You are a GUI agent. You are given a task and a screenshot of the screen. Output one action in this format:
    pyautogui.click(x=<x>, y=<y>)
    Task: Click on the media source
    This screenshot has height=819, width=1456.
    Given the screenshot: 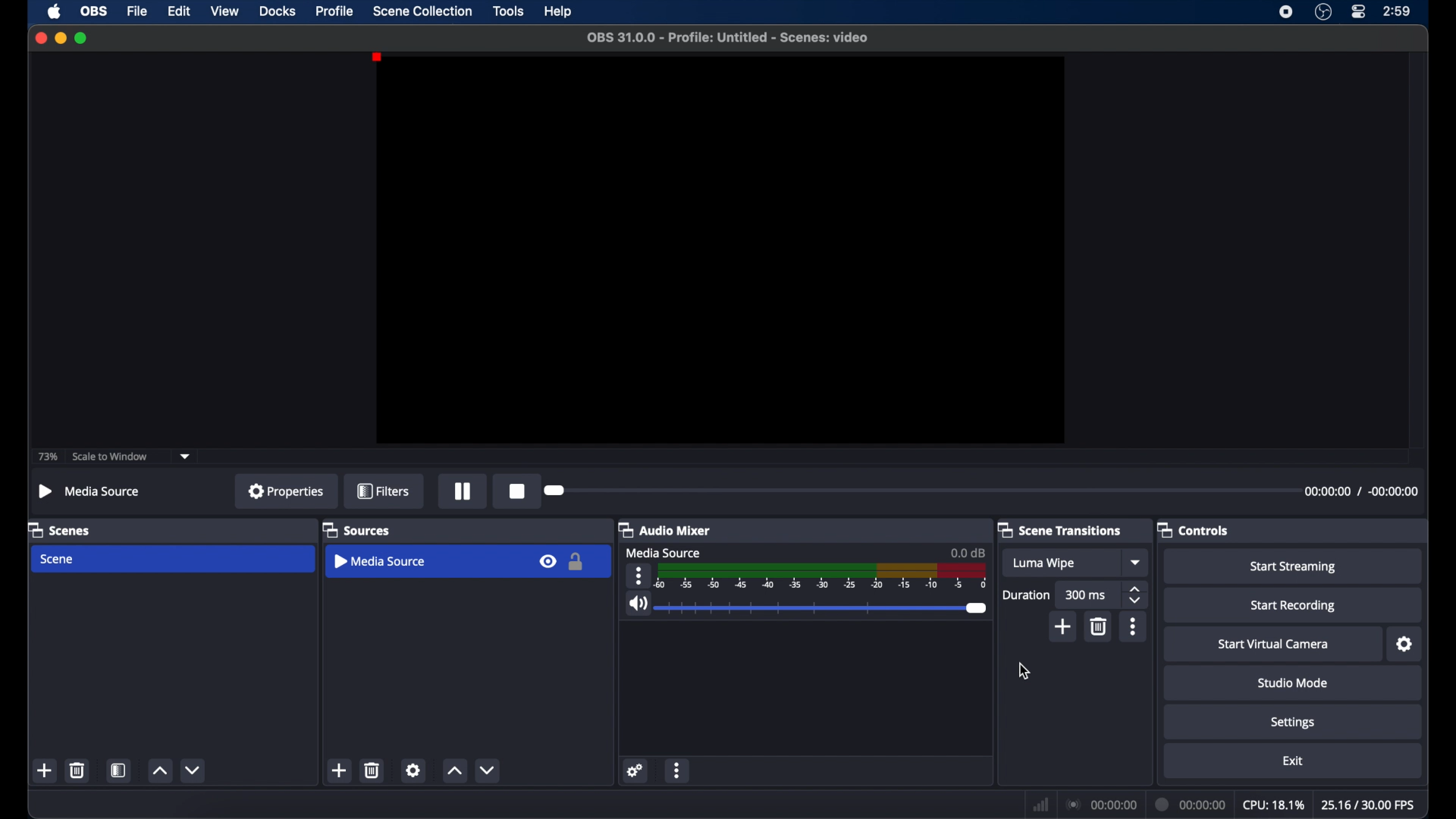 What is the action you would take?
    pyautogui.click(x=664, y=554)
    